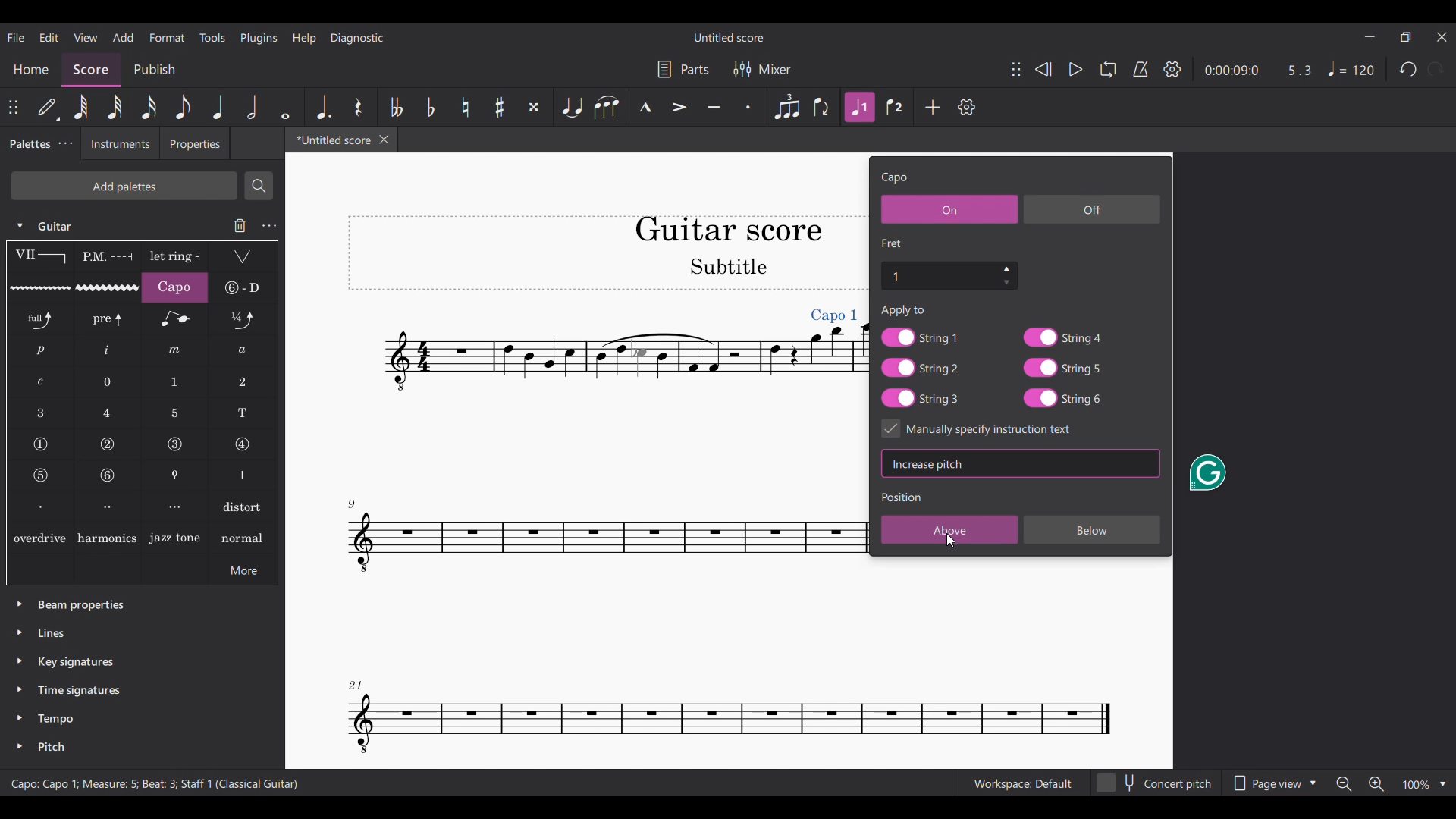  What do you see at coordinates (41, 319) in the screenshot?
I see `Standard bend` at bounding box center [41, 319].